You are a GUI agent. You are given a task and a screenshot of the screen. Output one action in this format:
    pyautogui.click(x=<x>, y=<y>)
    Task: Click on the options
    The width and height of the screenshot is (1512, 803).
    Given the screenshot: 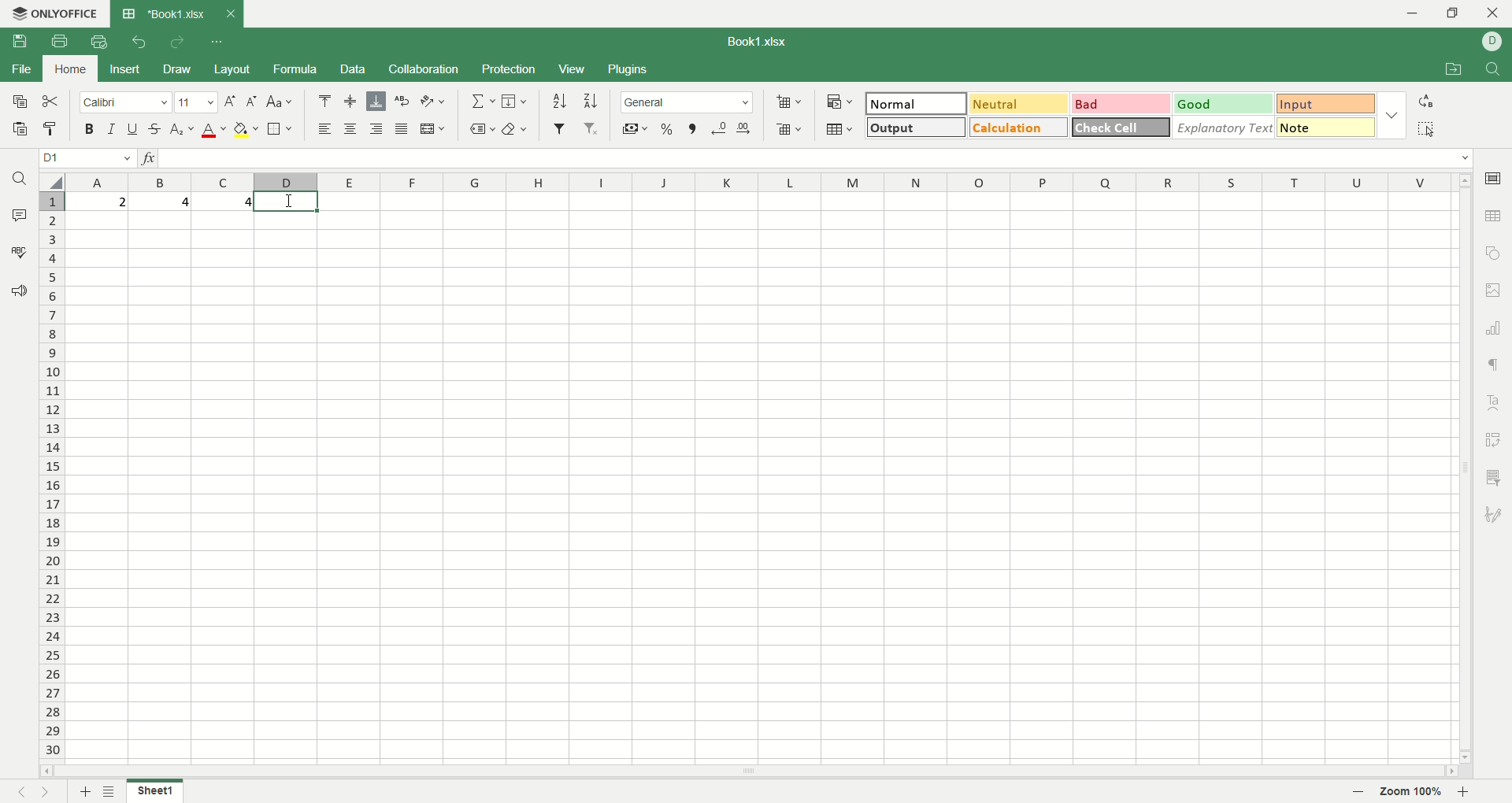 What is the action you would take?
    pyautogui.click(x=1390, y=117)
    